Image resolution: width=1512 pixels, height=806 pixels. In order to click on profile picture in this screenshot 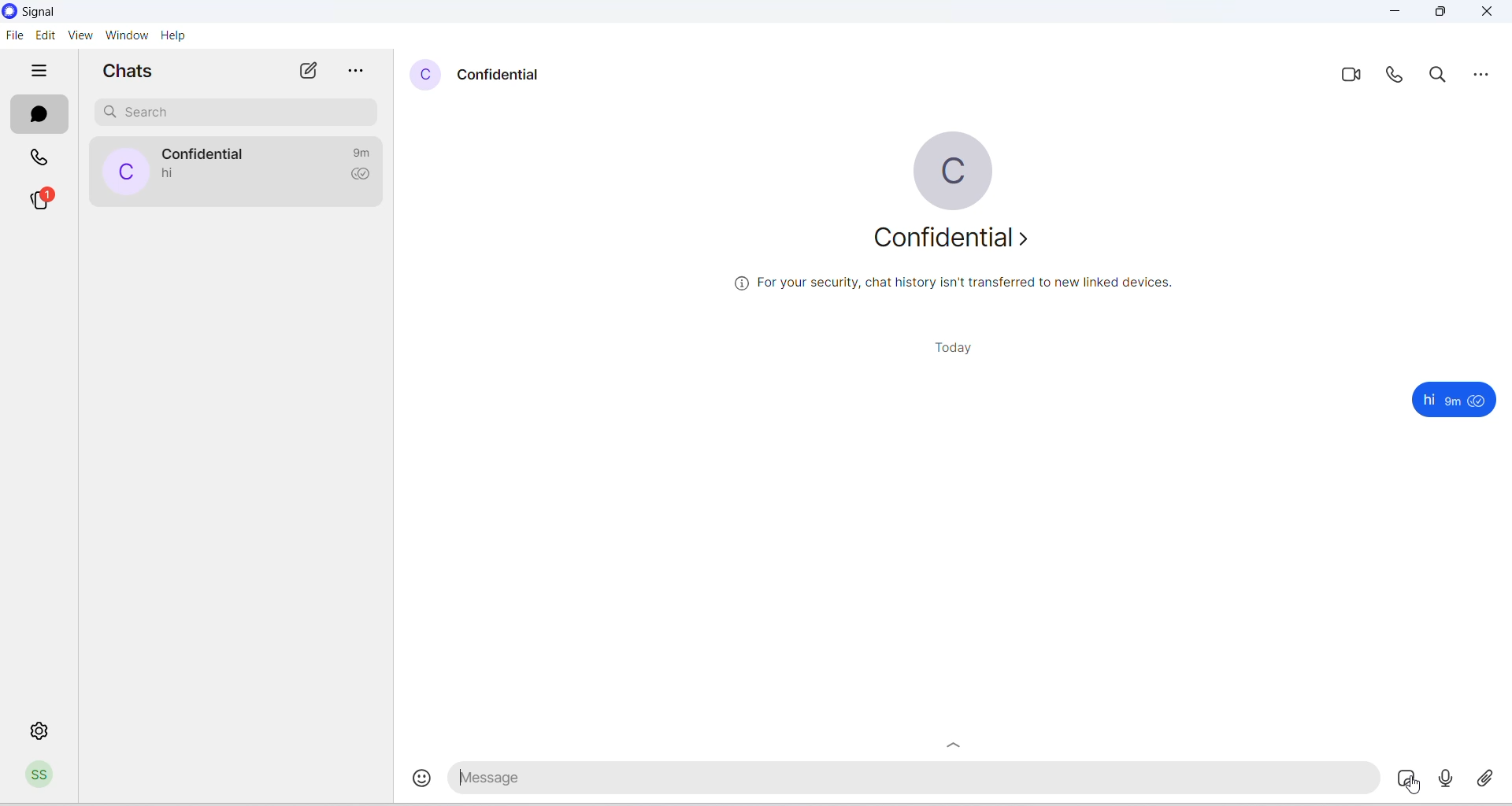, I will do `click(426, 76)`.